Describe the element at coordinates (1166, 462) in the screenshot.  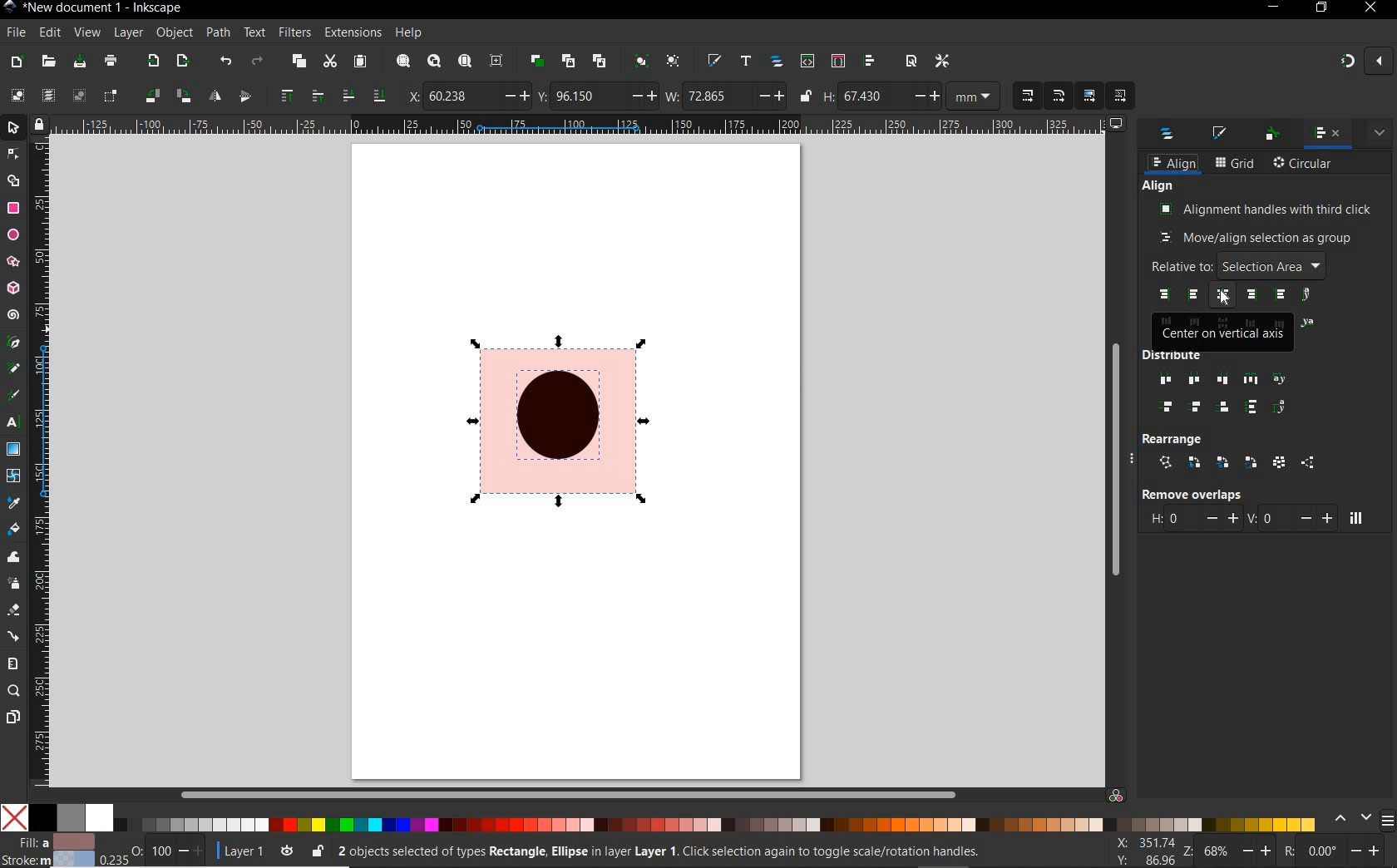
I see `REARRANGE AS GRAPH` at that location.